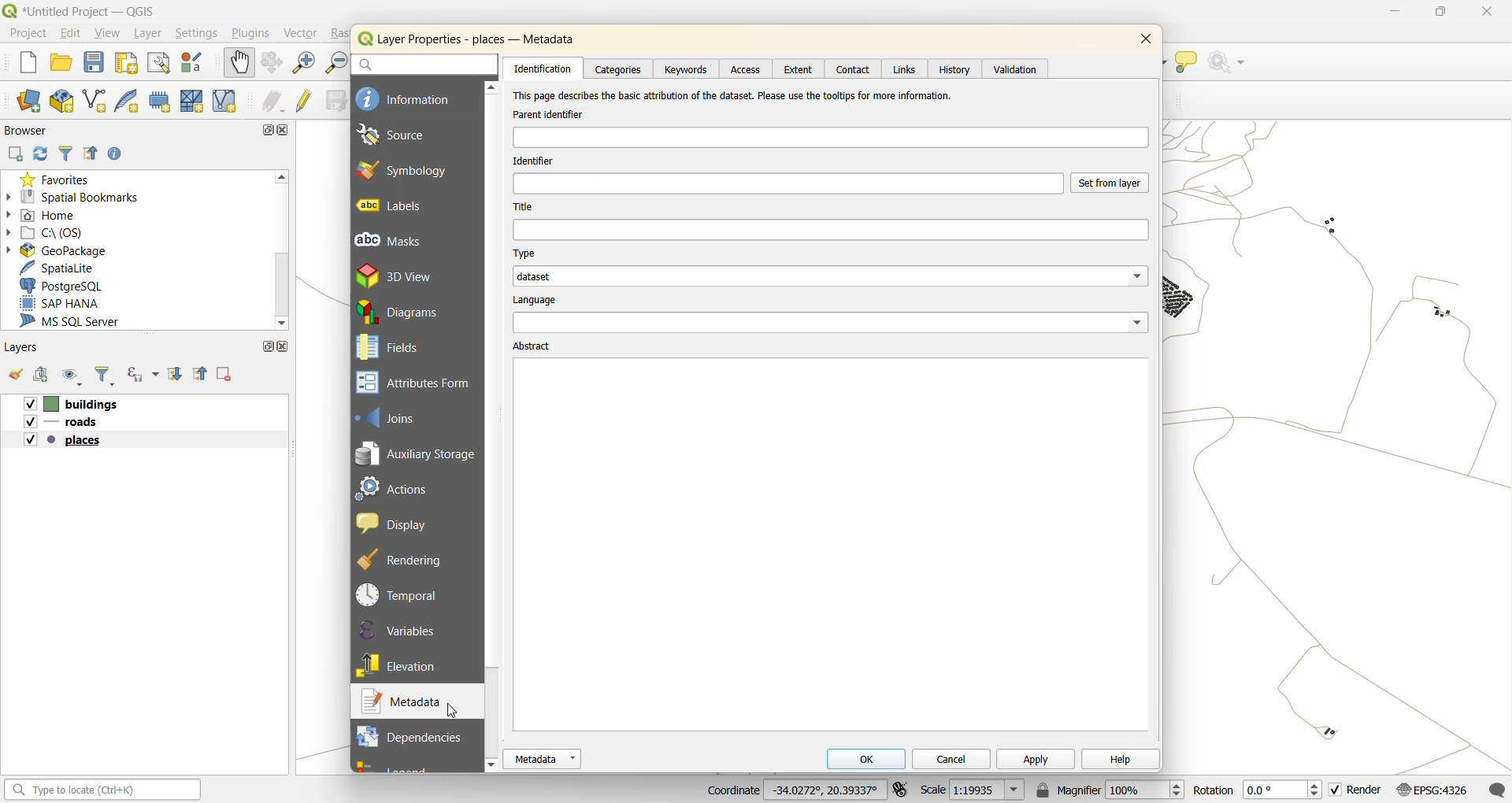  I want to click on information, so click(417, 98).